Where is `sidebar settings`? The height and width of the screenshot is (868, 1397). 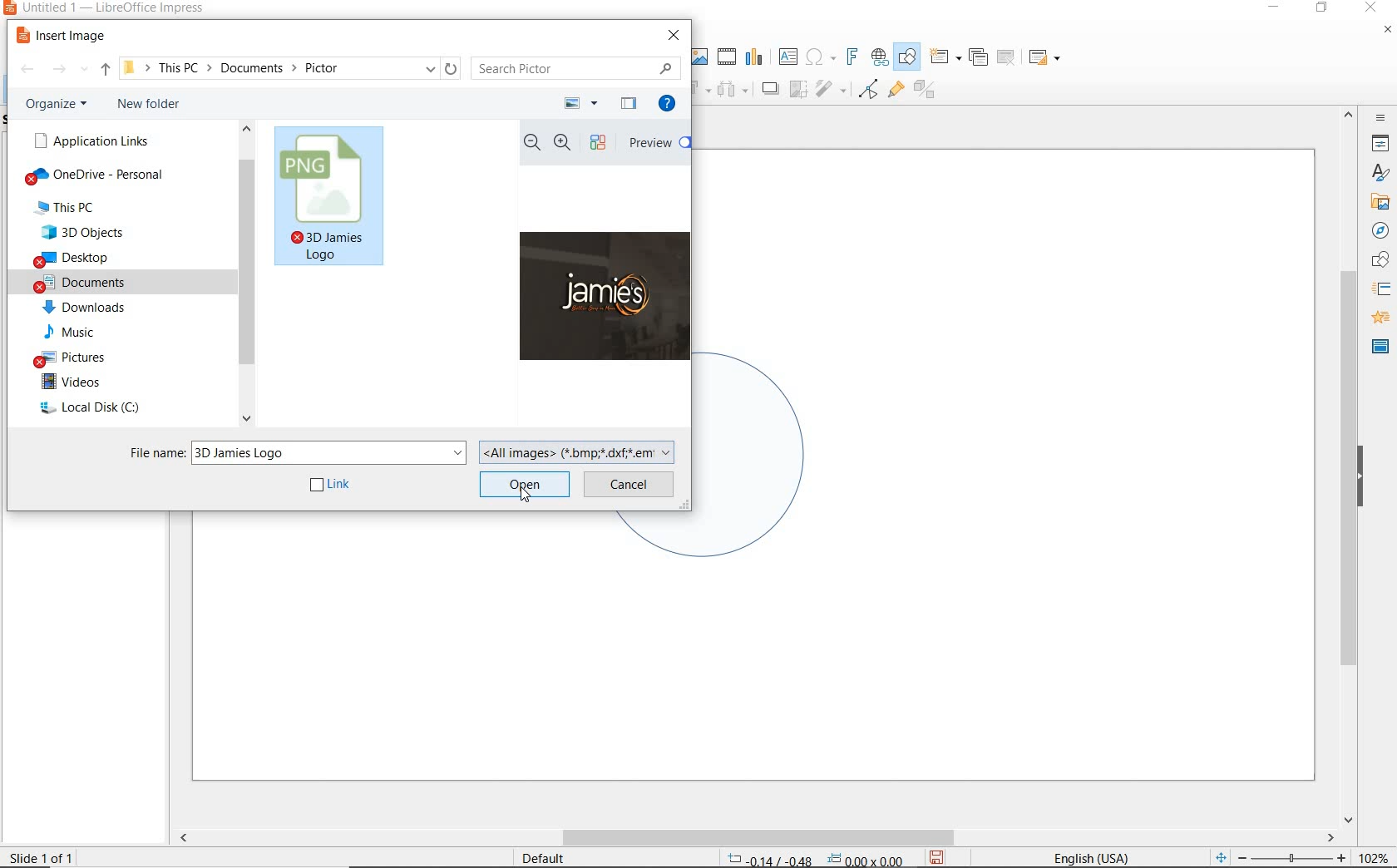
sidebar settings is located at coordinates (1379, 118).